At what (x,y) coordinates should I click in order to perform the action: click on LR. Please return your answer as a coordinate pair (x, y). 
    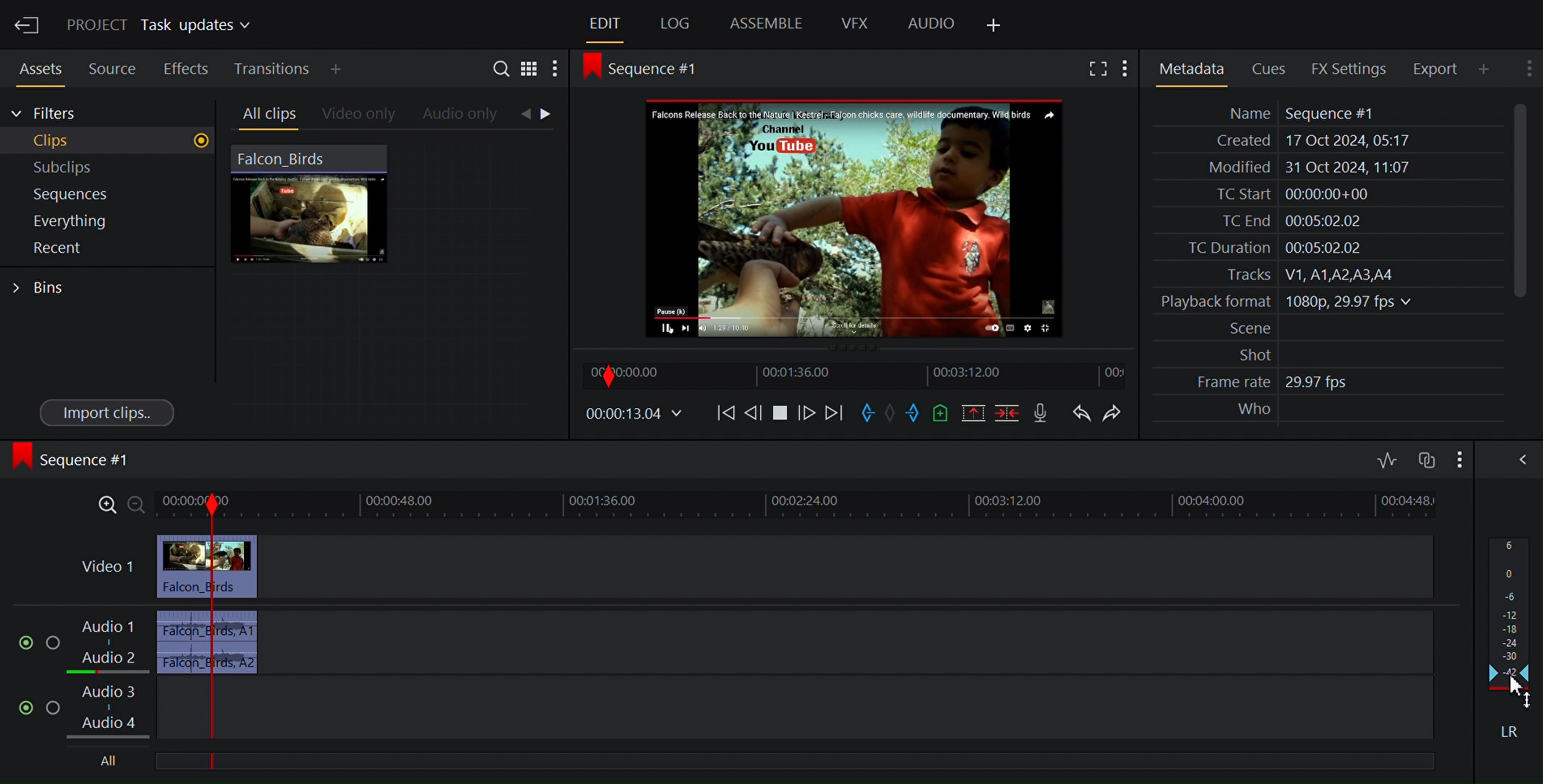
    Looking at the image, I should click on (1506, 728).